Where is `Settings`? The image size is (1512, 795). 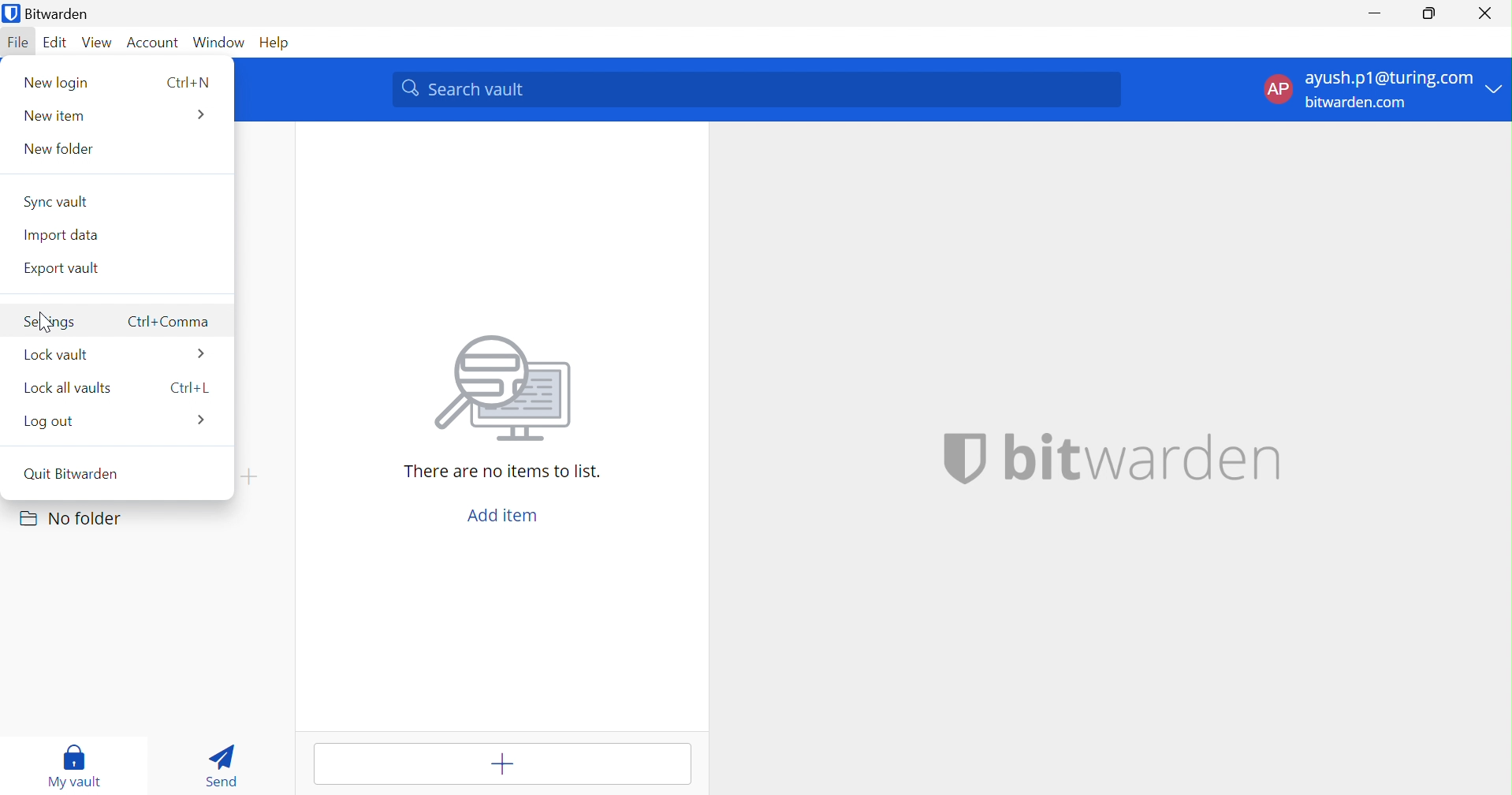 Settings is located at coordinates (49, 320).